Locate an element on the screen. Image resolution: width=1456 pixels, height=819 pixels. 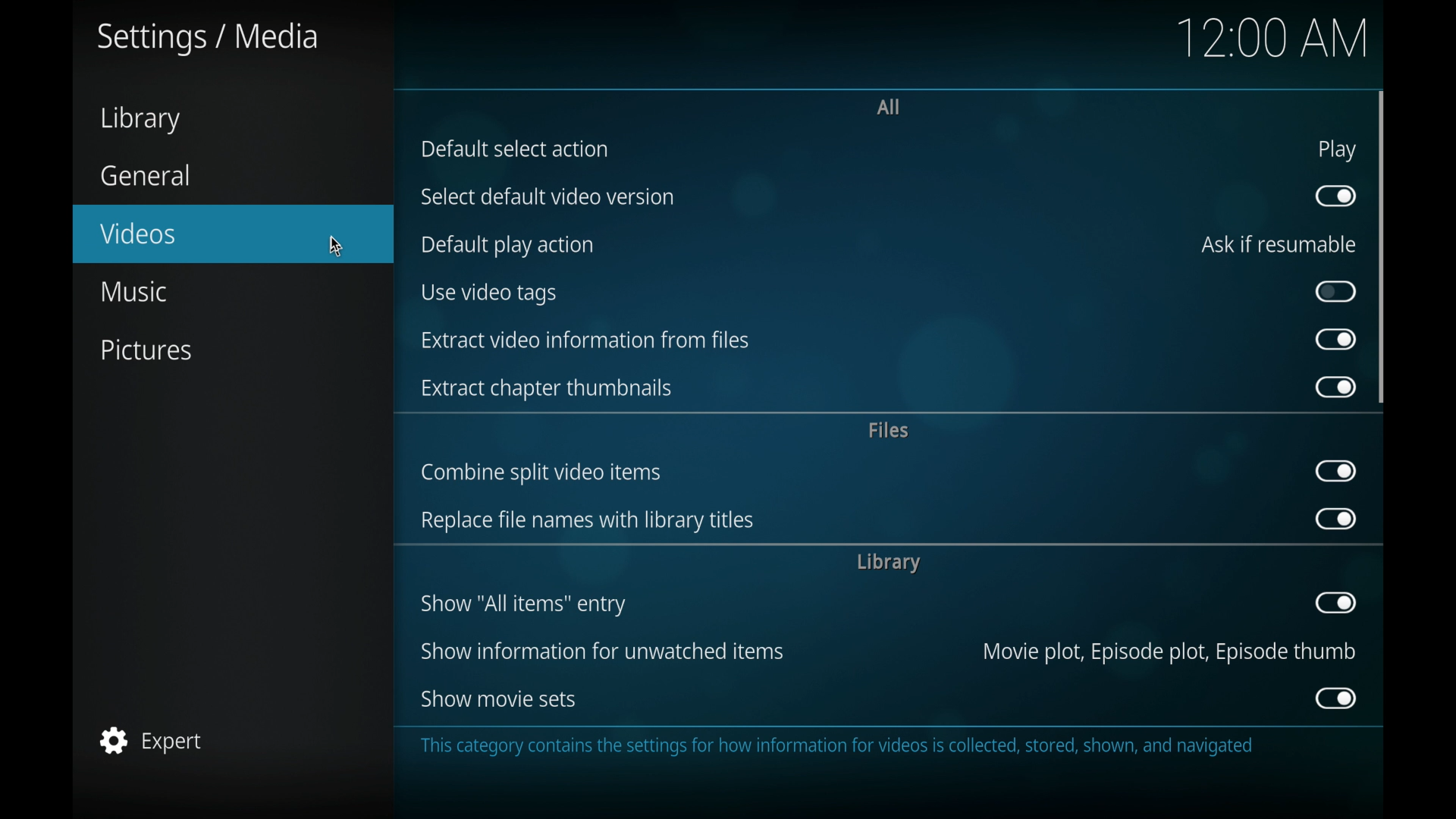
files is located at coordinates (890, 429).